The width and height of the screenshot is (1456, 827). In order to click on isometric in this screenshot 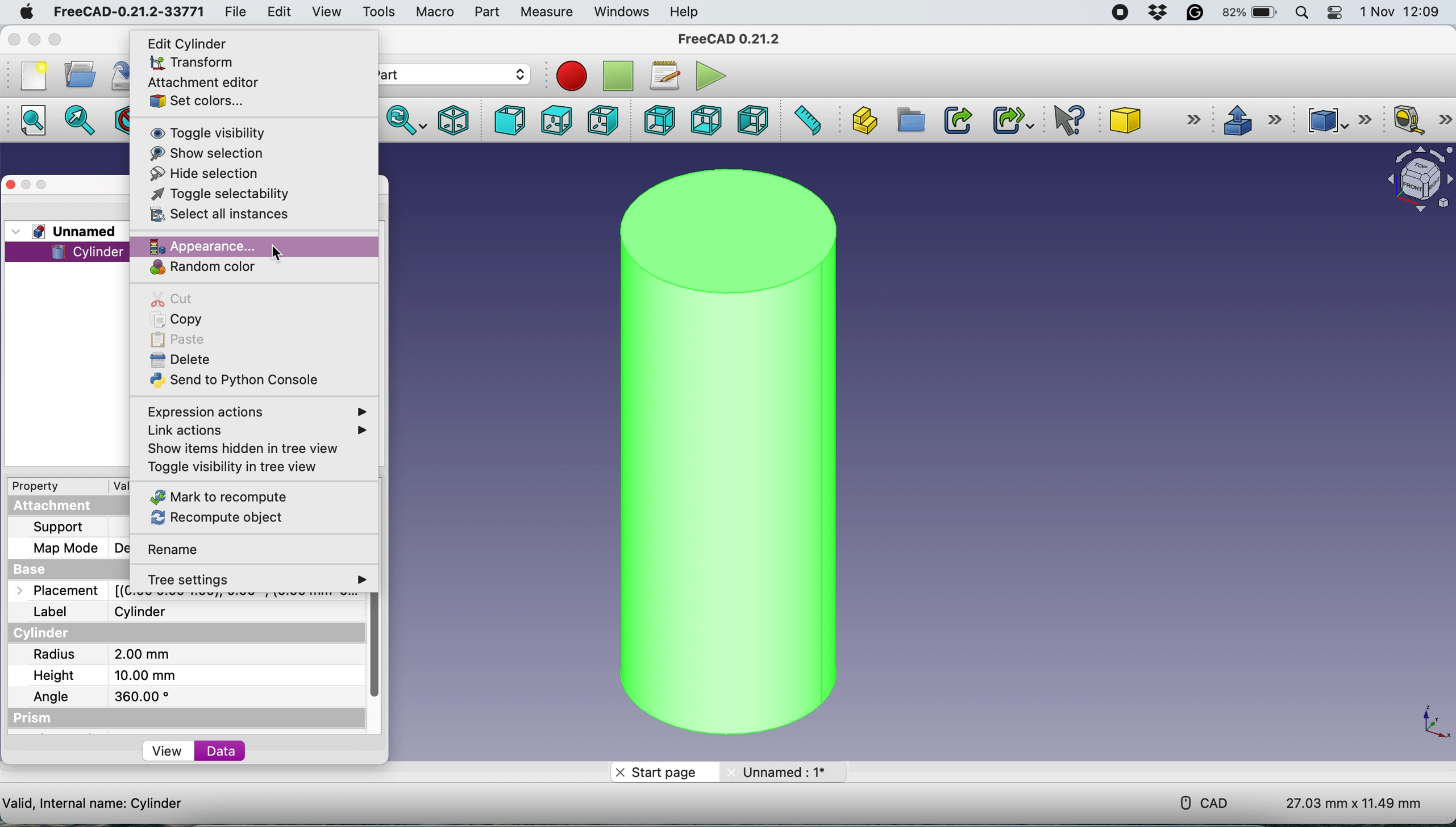, I will do `click(452, 120)`.